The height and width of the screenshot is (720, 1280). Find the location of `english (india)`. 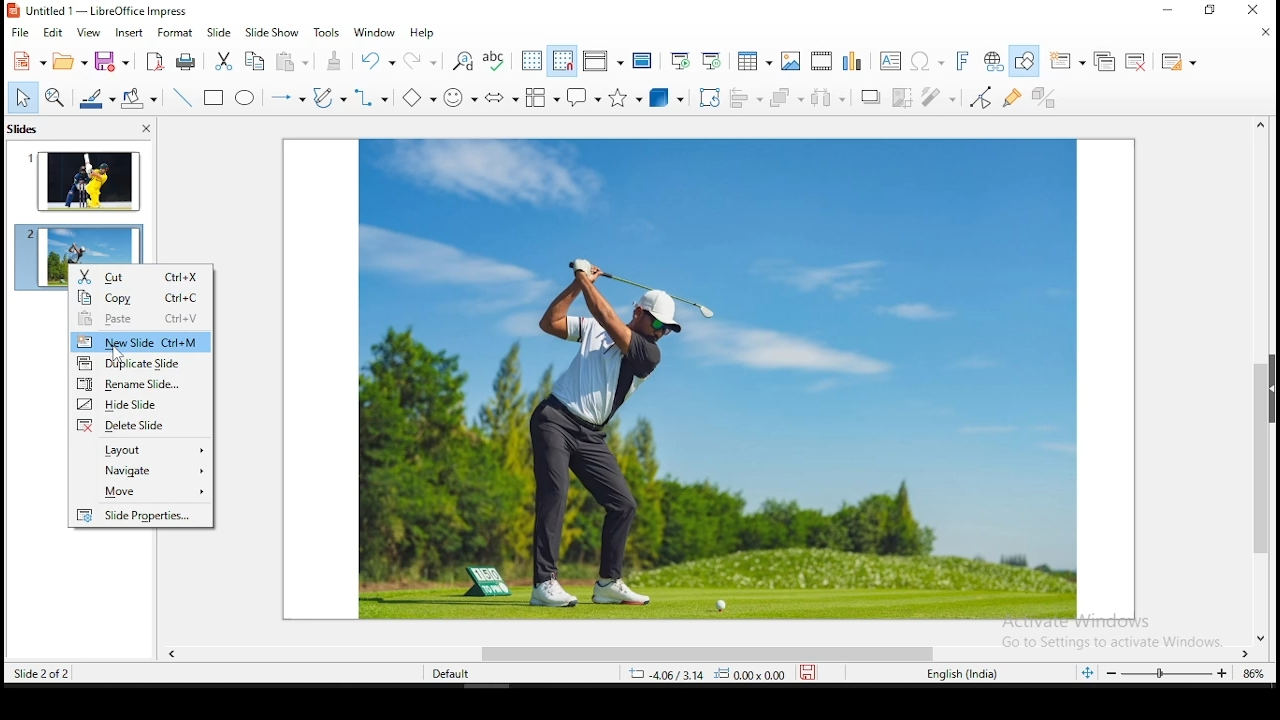

english (india) is located at coordinates (957, 673).